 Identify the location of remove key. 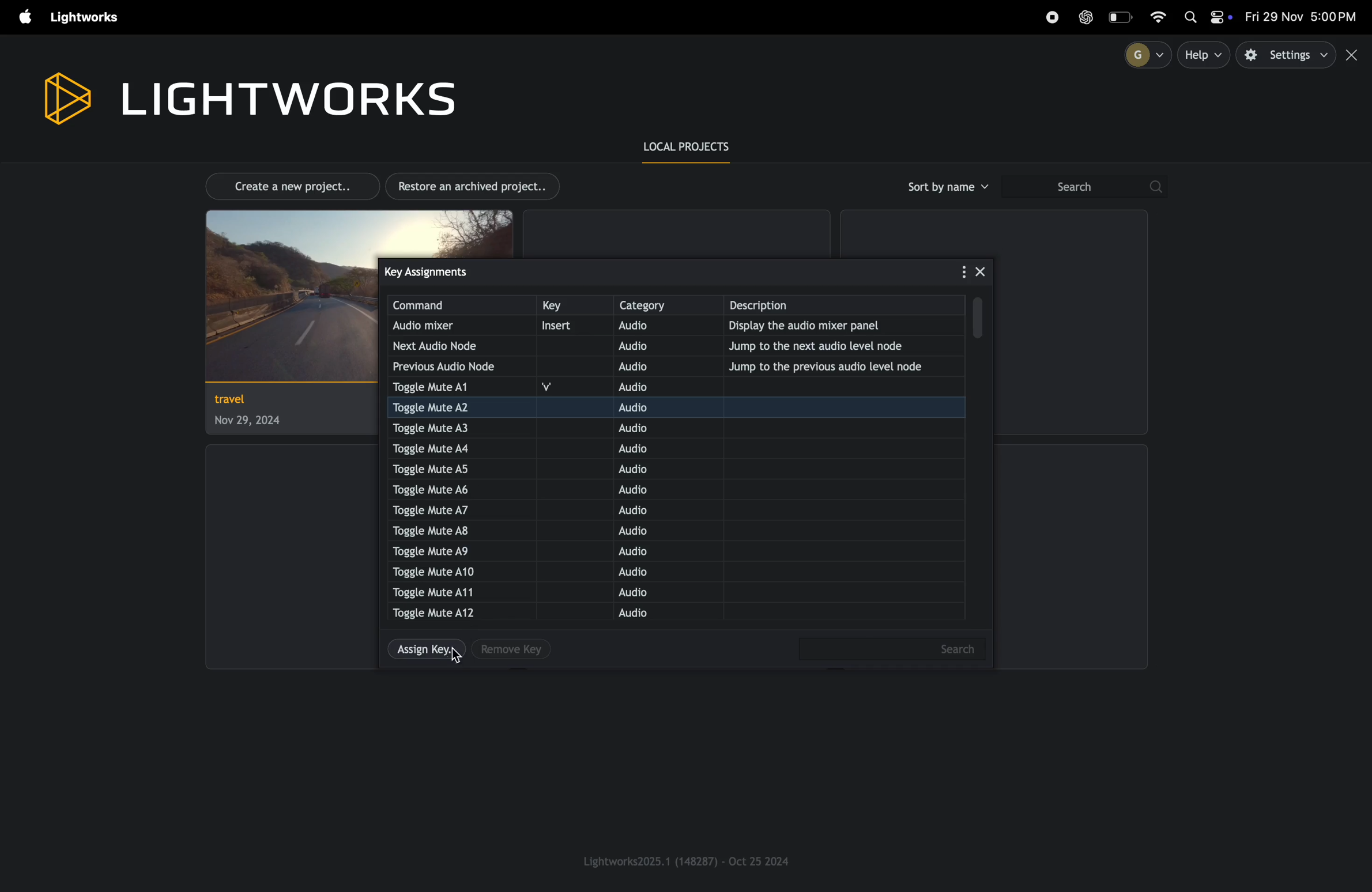
(512, 650).